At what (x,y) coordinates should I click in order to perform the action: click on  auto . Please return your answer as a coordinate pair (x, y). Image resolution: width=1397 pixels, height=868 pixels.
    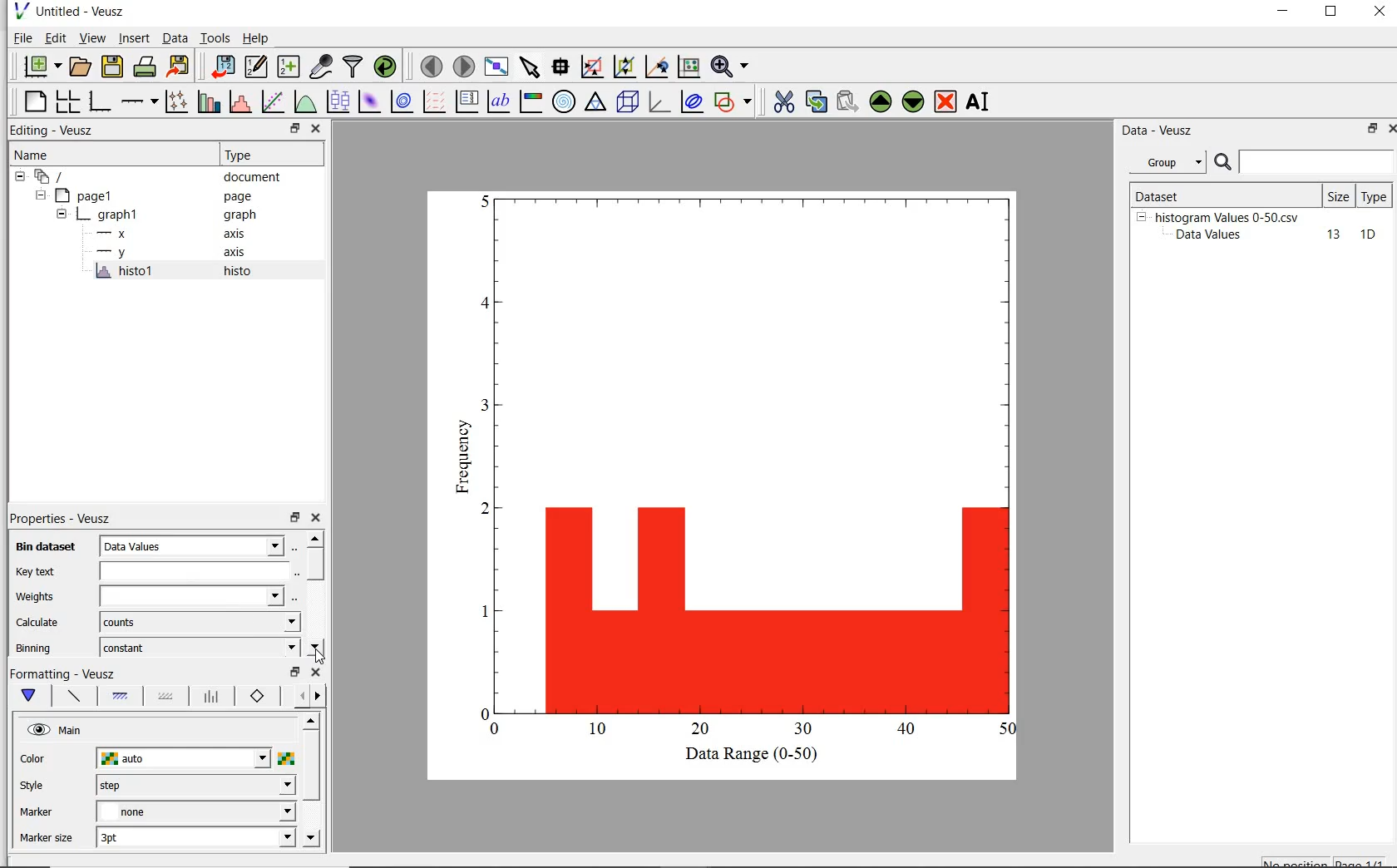
    Looking at the image, I should click on (185, 759).